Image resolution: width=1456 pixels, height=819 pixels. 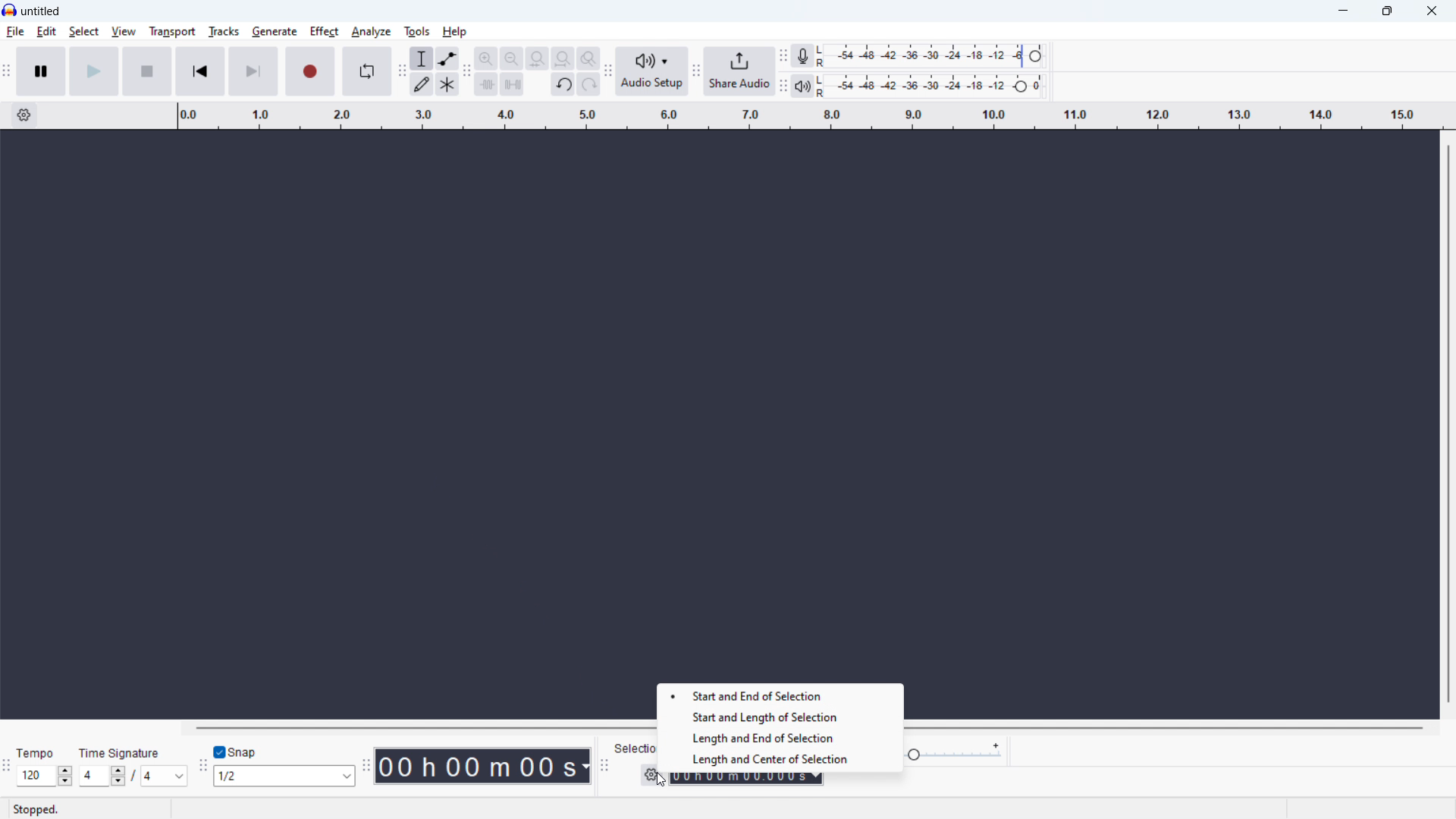 What do you see at coordinates (46, 33) in the screenshot?
I see `edit` at bounding box center [46, 33].